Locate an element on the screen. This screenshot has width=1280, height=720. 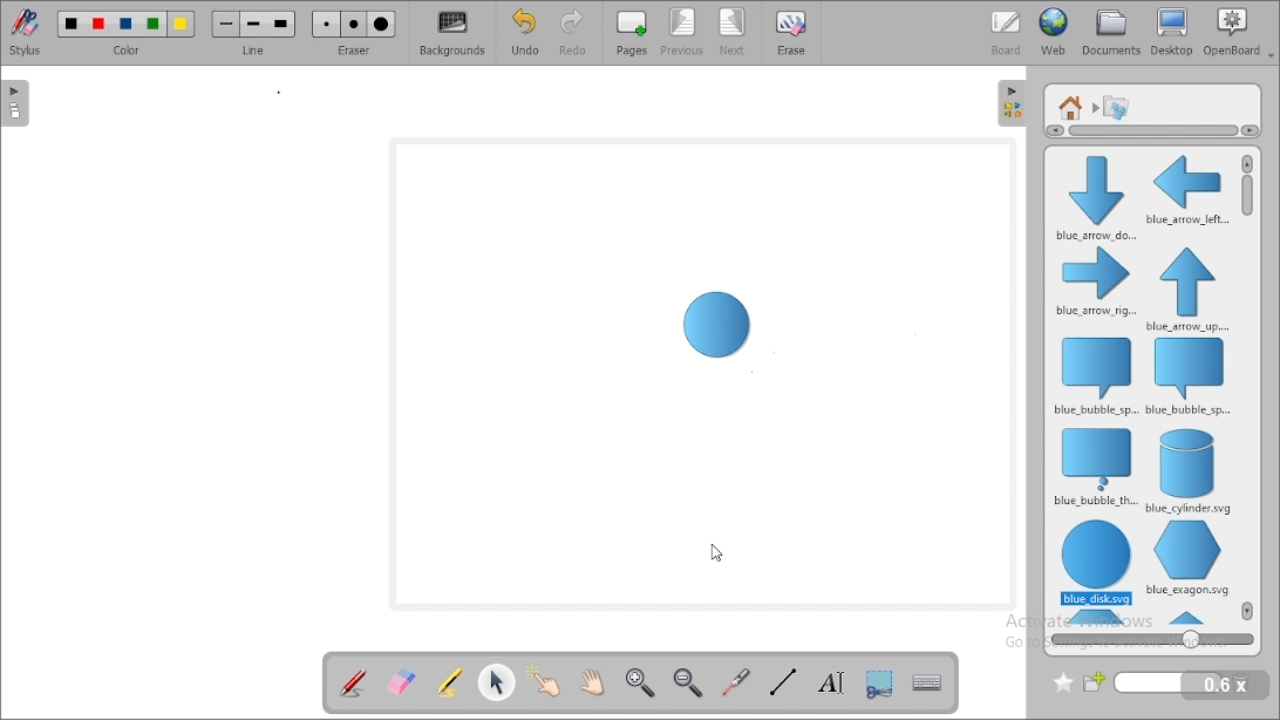
erase is located at coordinates (792, 32).